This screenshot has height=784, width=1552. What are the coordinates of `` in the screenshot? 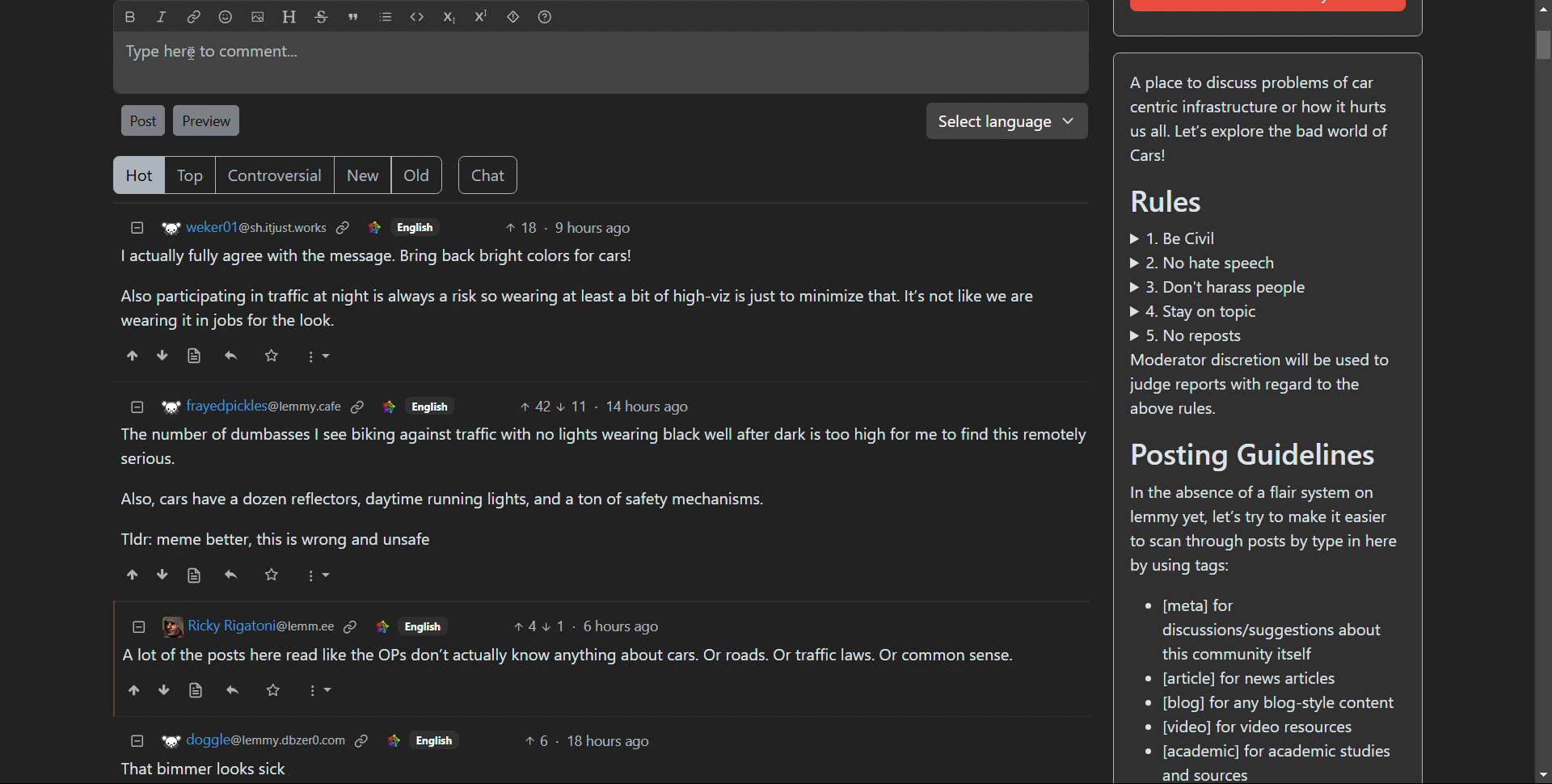 It's located at (272, 689).